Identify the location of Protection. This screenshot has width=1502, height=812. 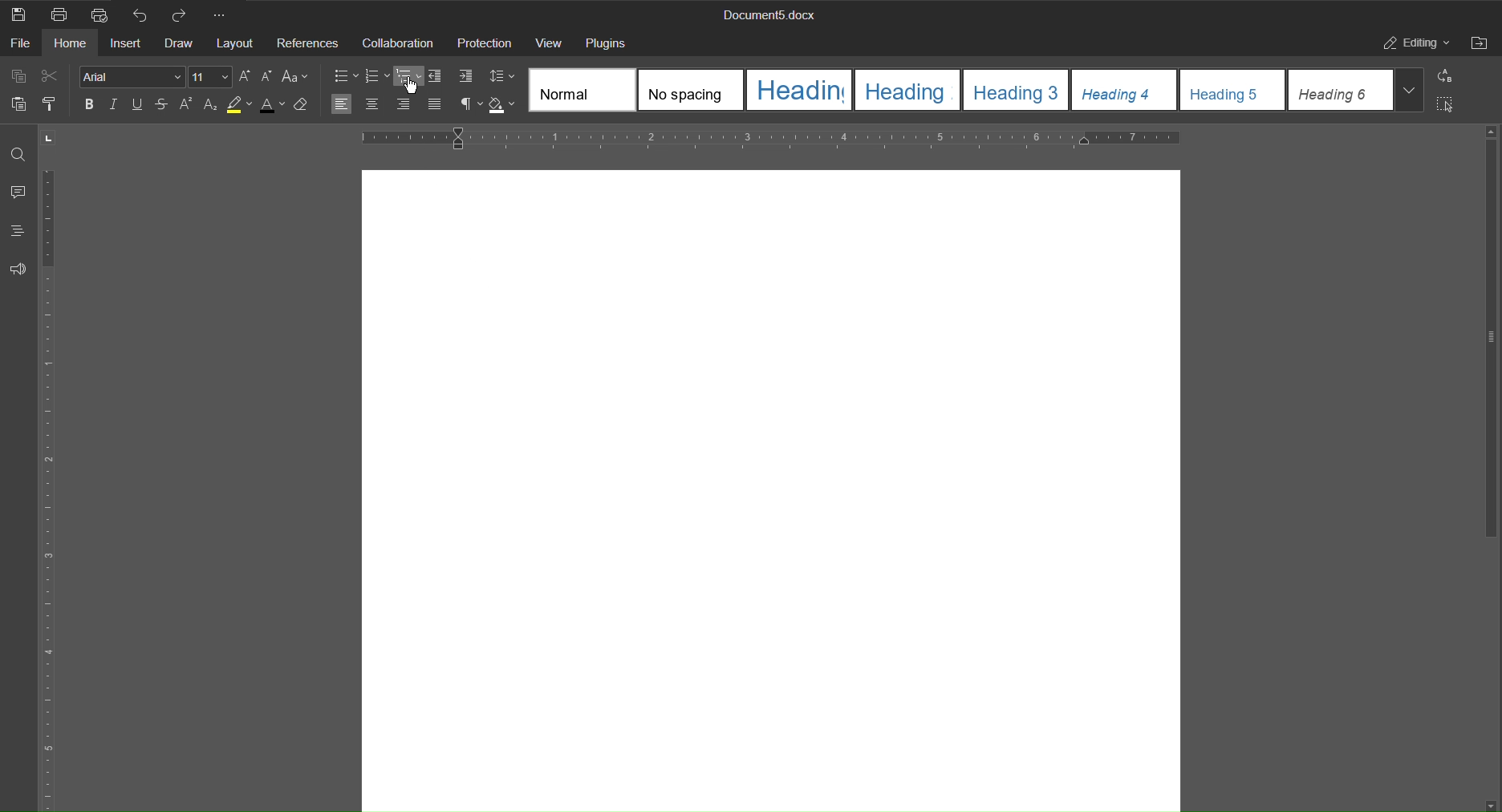
(486, 45).